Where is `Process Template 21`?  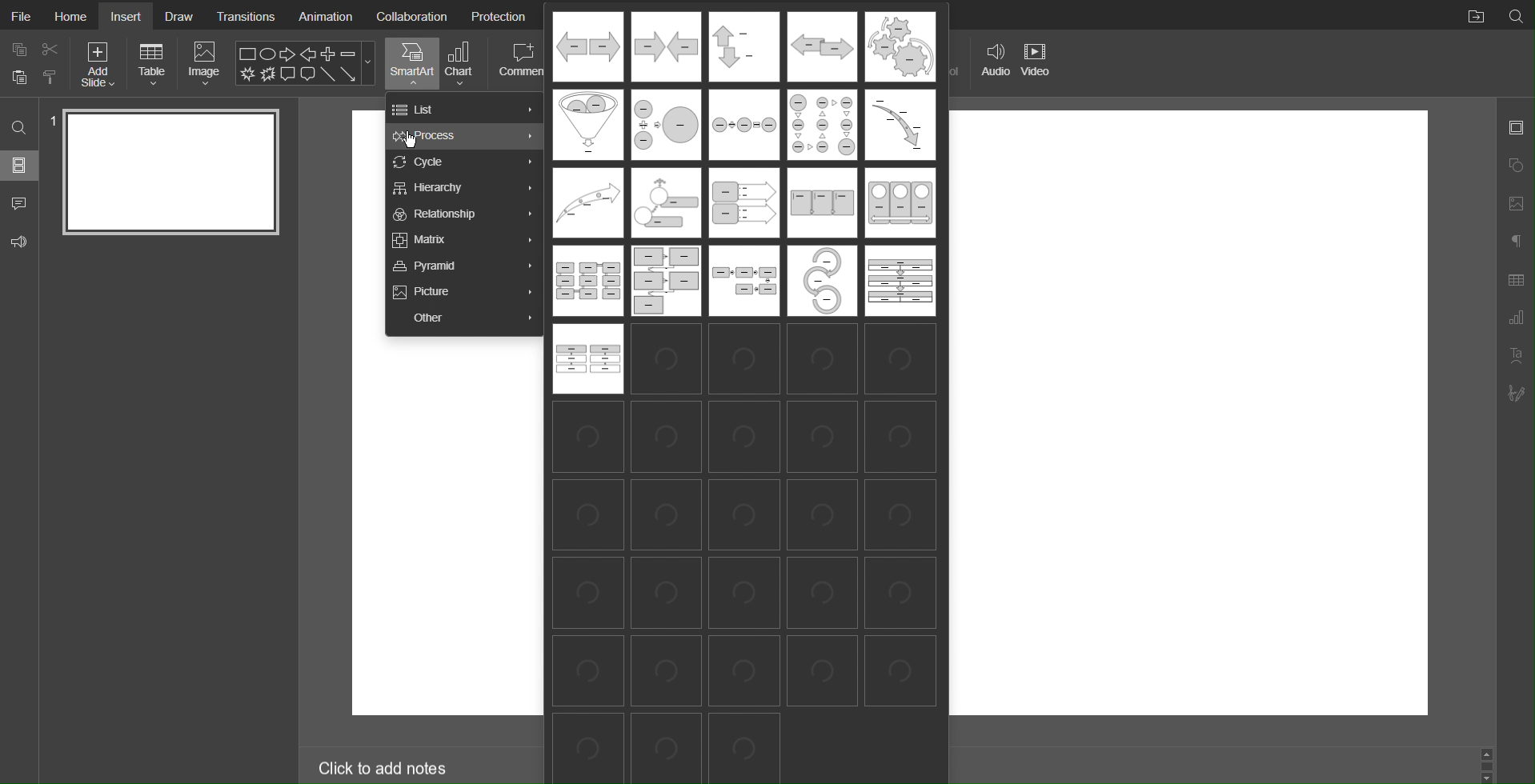
Process Template 21 is located at coordinates (587, 360).